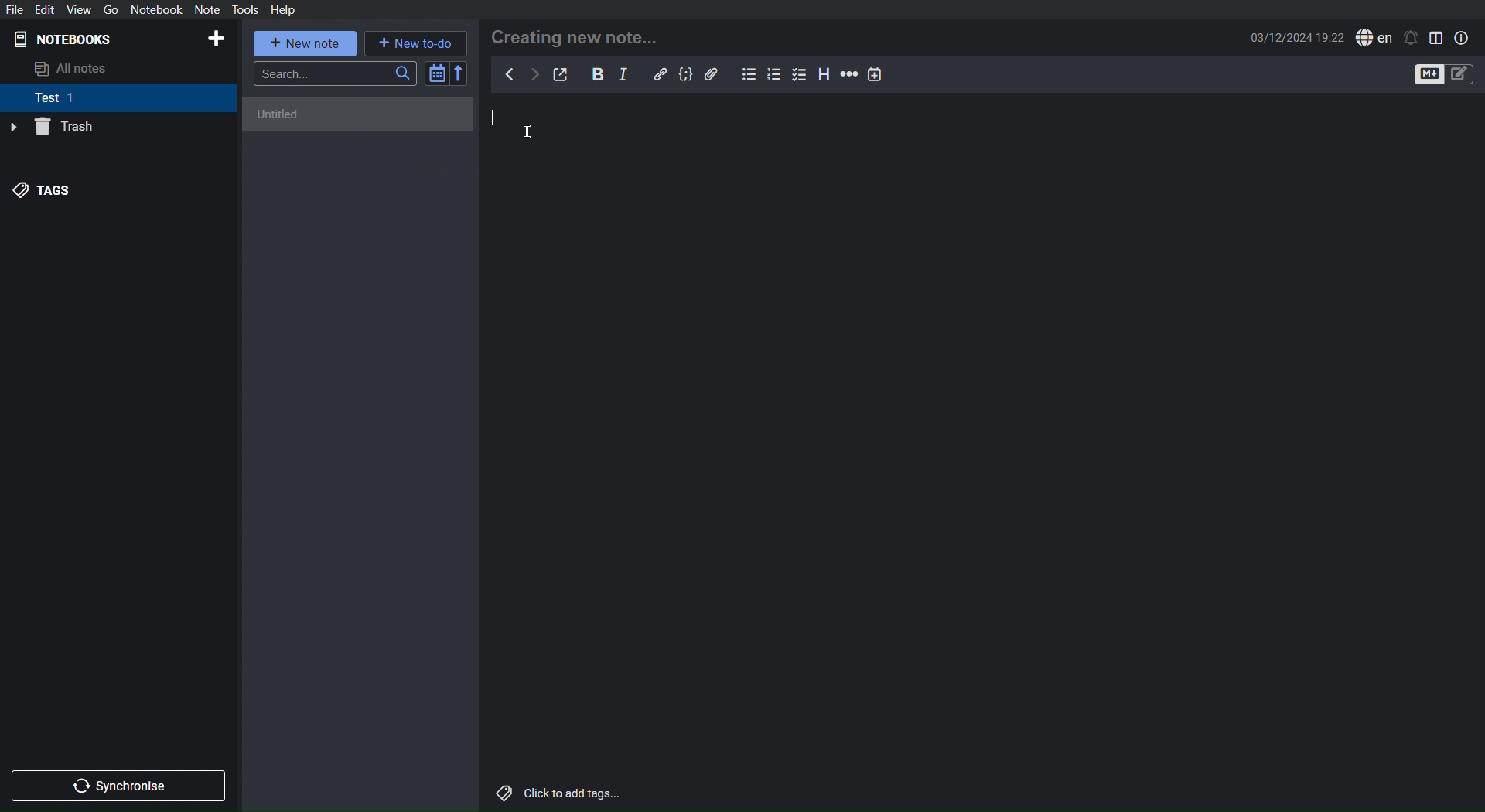 The height and width of the screenshot is (812, 1485). Describe the element at coordinates (12, 10) in the screenshot. I see `File` at that location.